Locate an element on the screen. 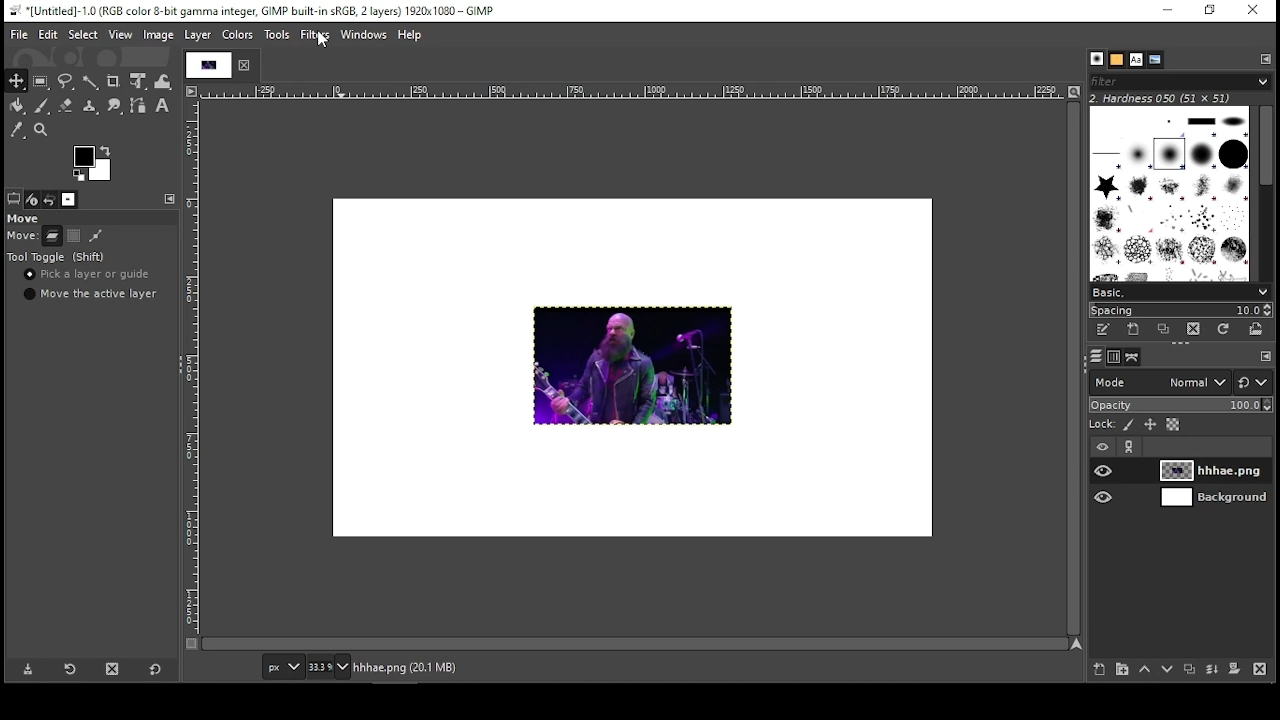  delete layer is located at coordinates (1263, 668).